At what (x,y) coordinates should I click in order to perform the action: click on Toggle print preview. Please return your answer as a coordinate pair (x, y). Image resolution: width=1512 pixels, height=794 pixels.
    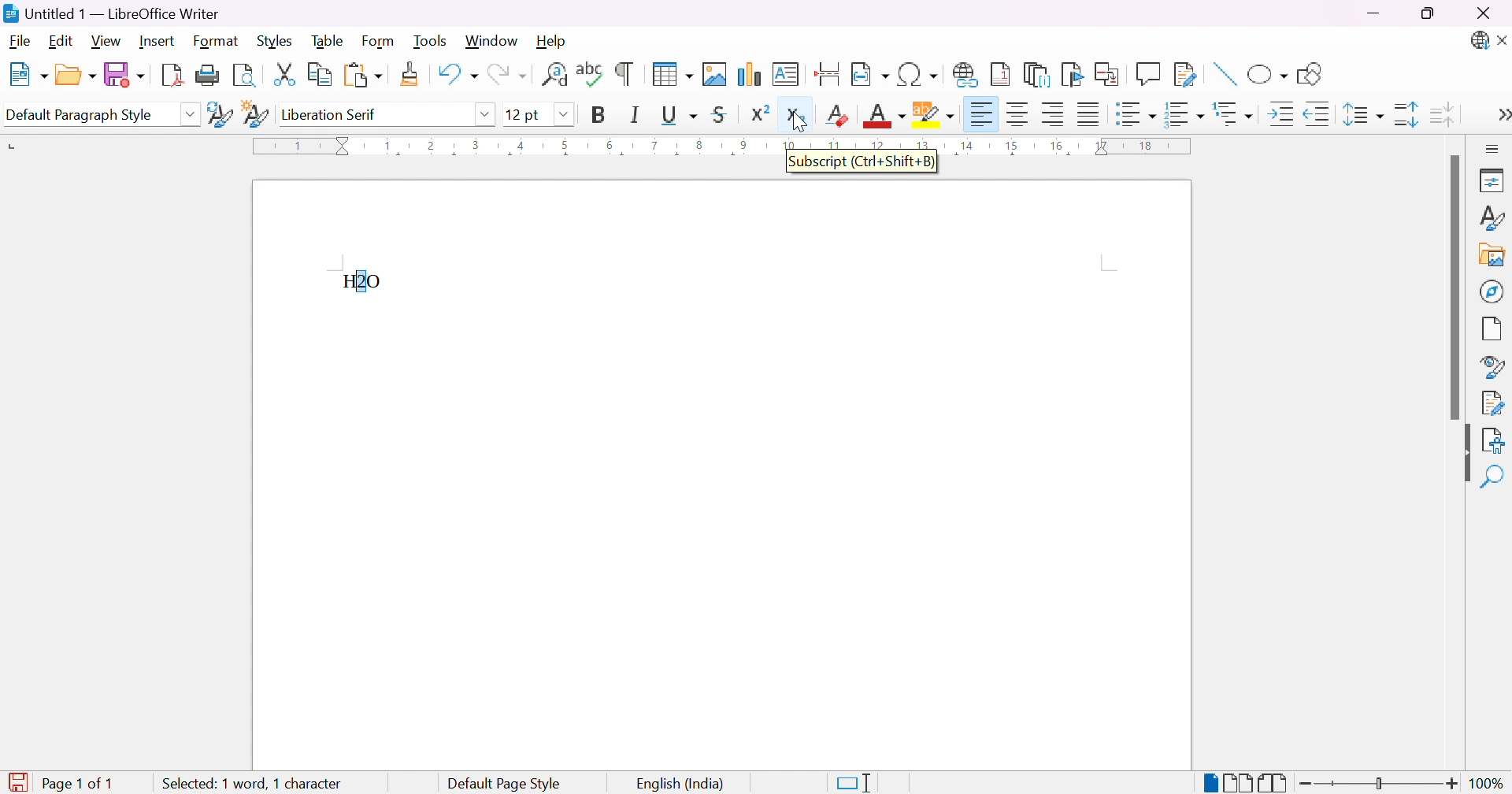
    Looking at the image, I should click on (246, 76).